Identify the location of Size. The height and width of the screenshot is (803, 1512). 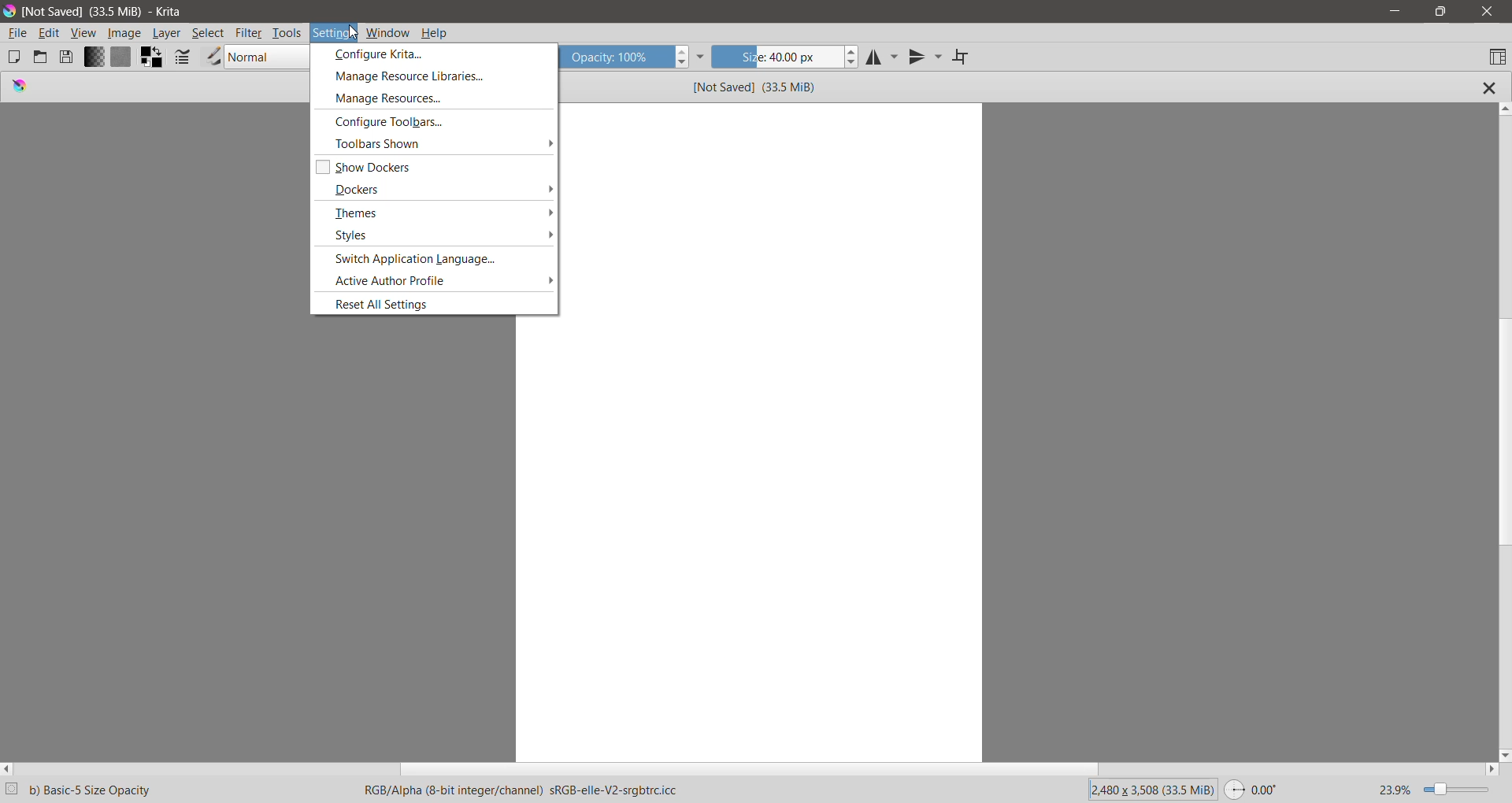
(785, 56).